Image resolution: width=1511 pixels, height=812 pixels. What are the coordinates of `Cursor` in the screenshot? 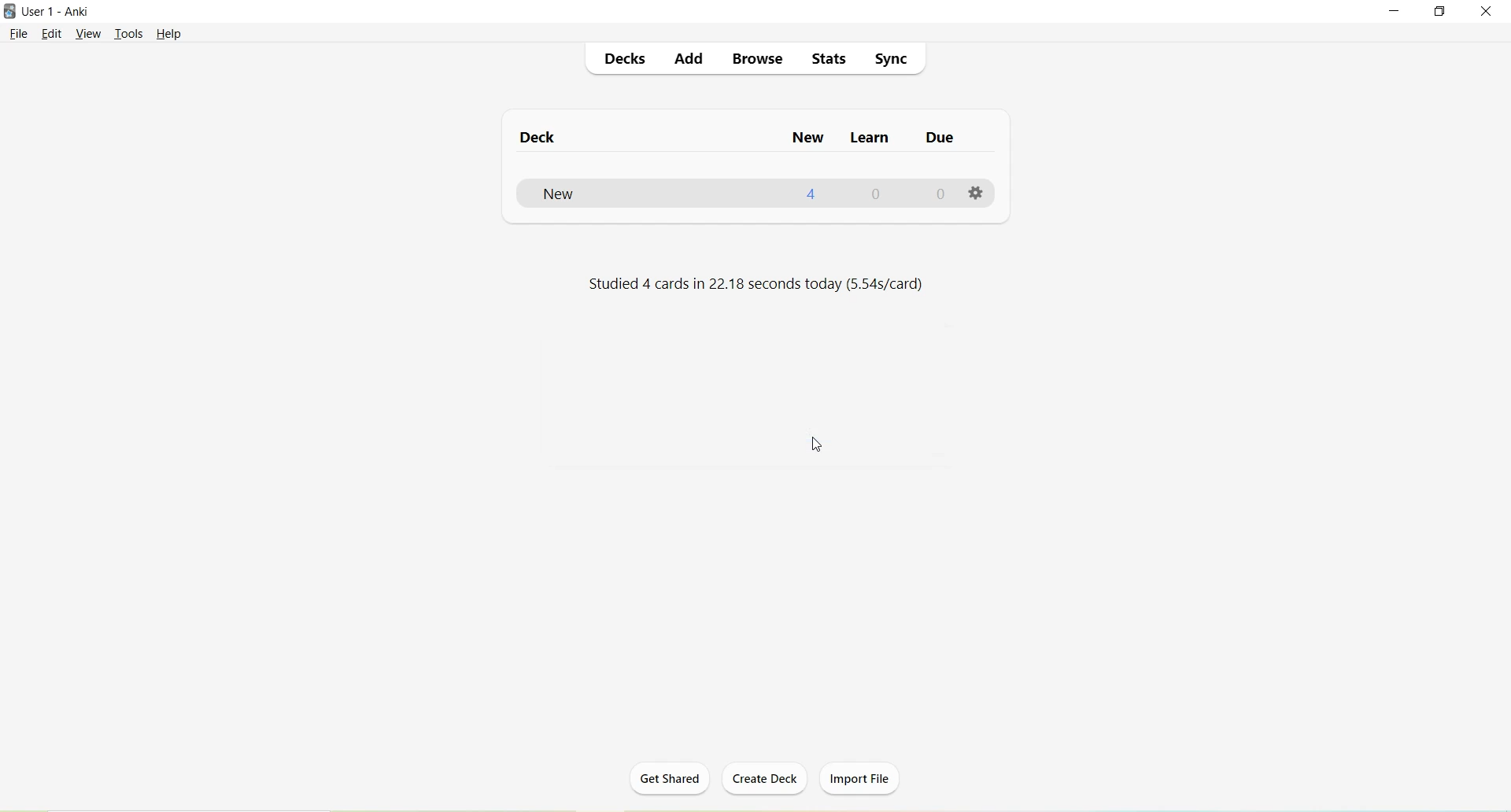 It's located at (815, 445).